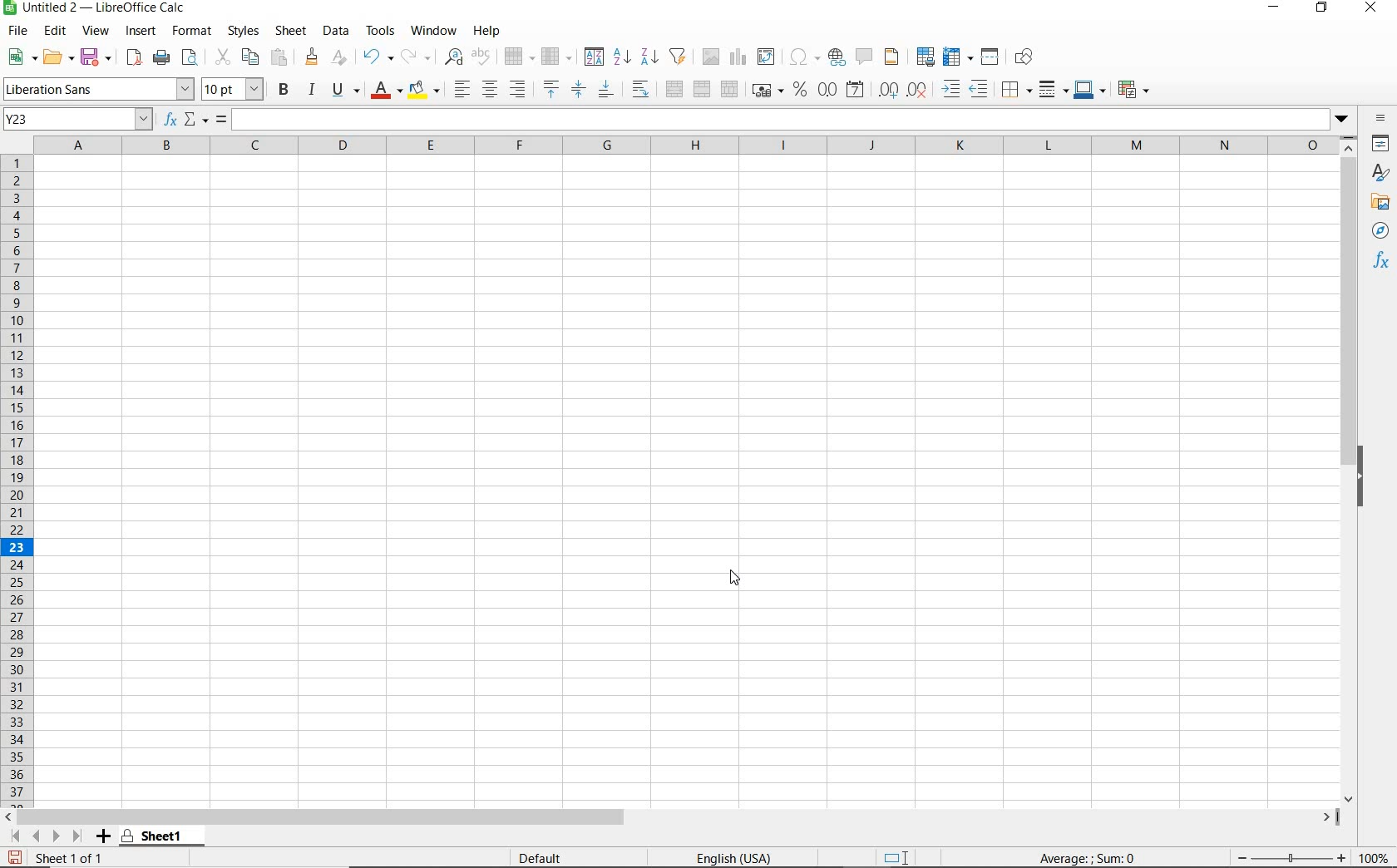  What do you see at coordinates (708, 56) in the screenshot?
I see `INSERT IMAGE` at bounding box center [708, 56].